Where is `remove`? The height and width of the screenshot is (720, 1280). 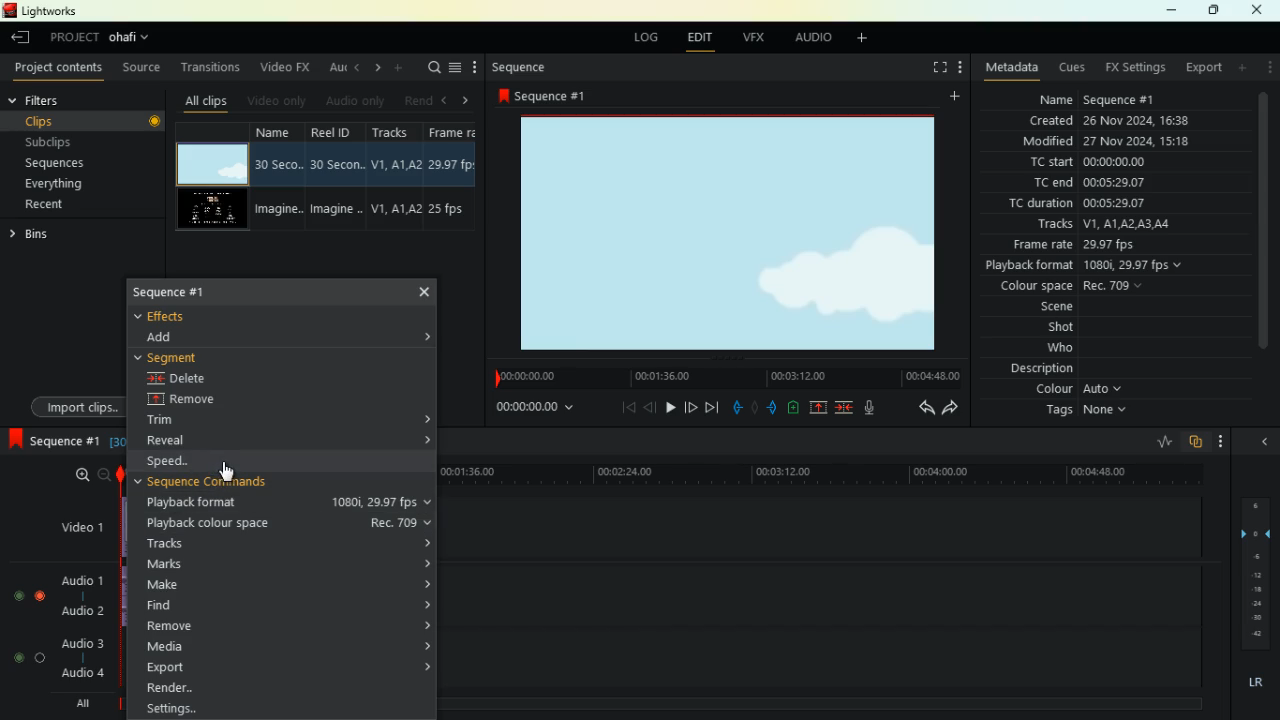 remove is located at coordinates (287, 626).